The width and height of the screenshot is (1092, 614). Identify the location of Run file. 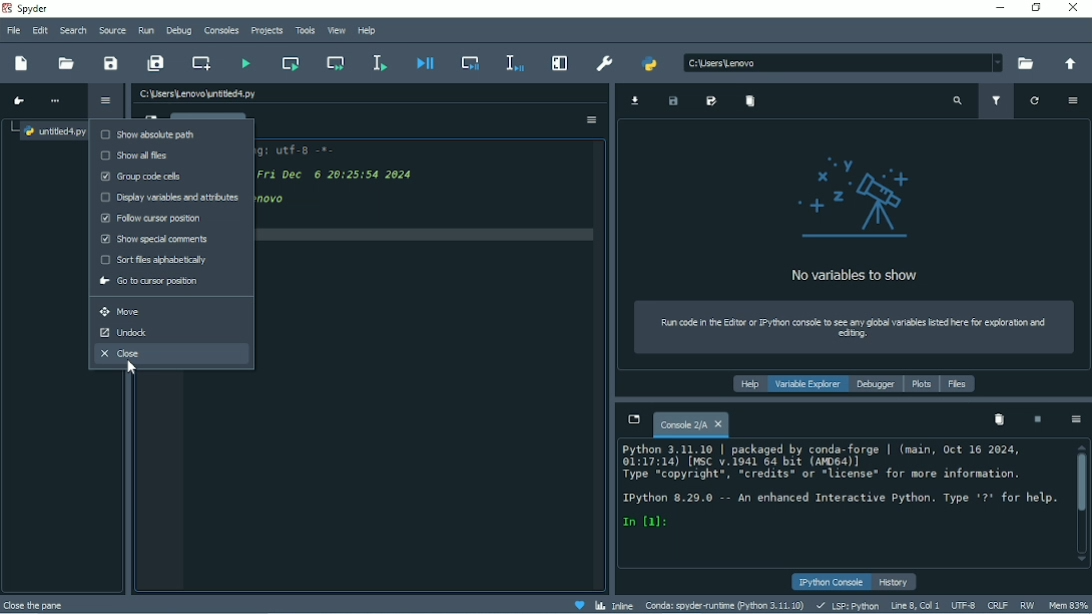
(243, 62).